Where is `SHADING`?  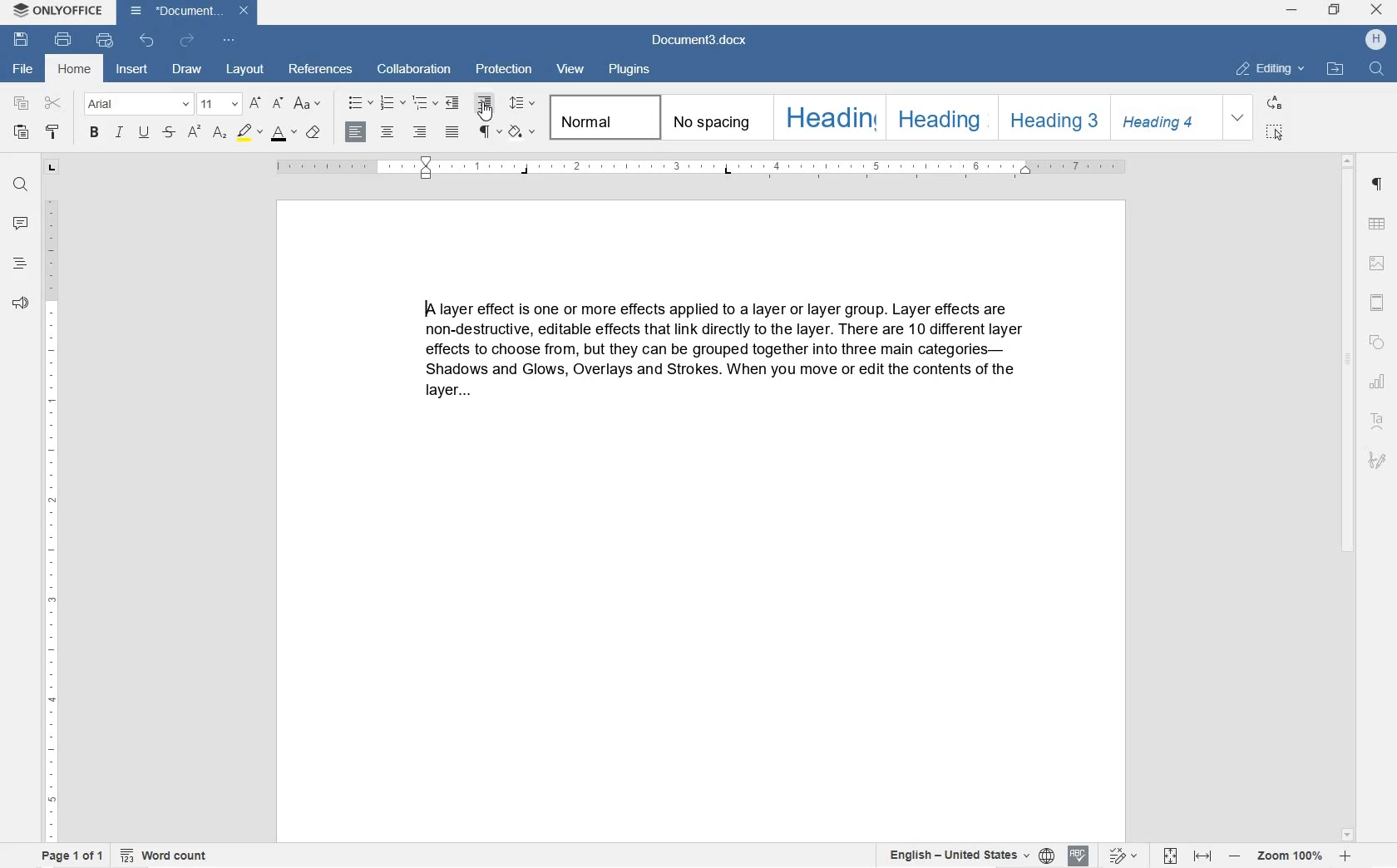
SHADING is located at coordinates (525, 133).